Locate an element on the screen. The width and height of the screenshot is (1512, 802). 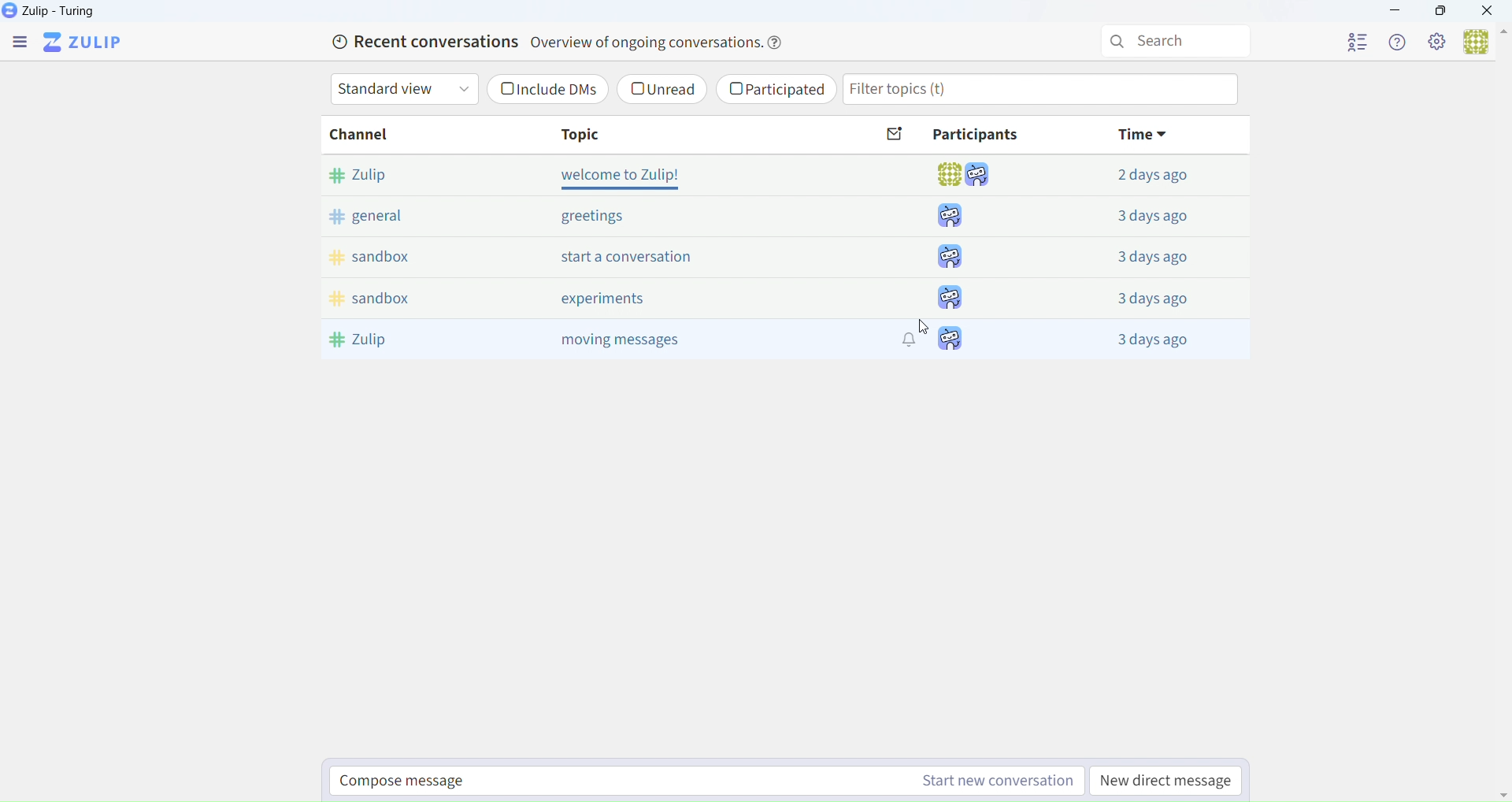
user profiles is located at coordinates (969, 175).